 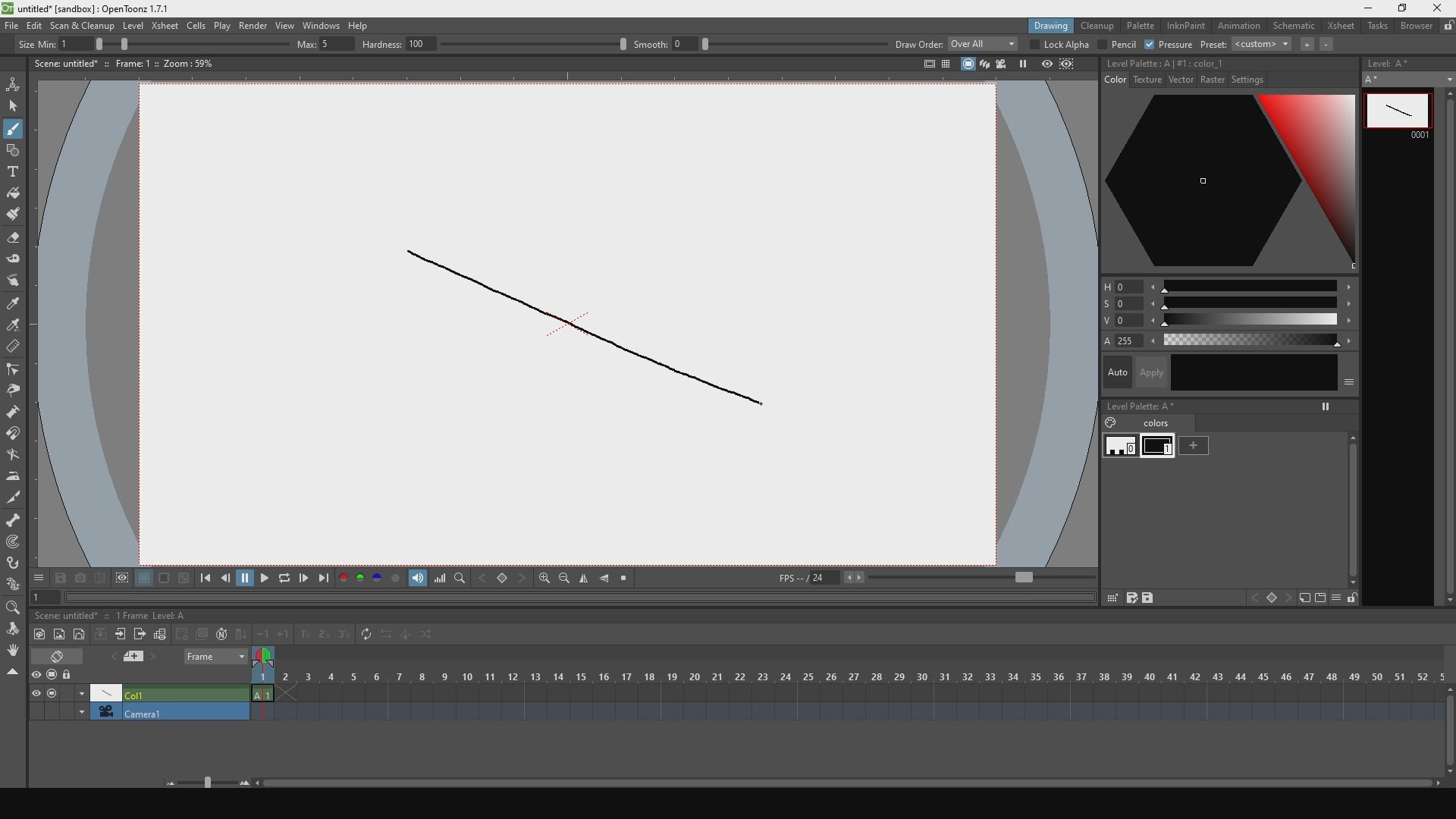 I want to click on brush, so click(x=14, y=215).